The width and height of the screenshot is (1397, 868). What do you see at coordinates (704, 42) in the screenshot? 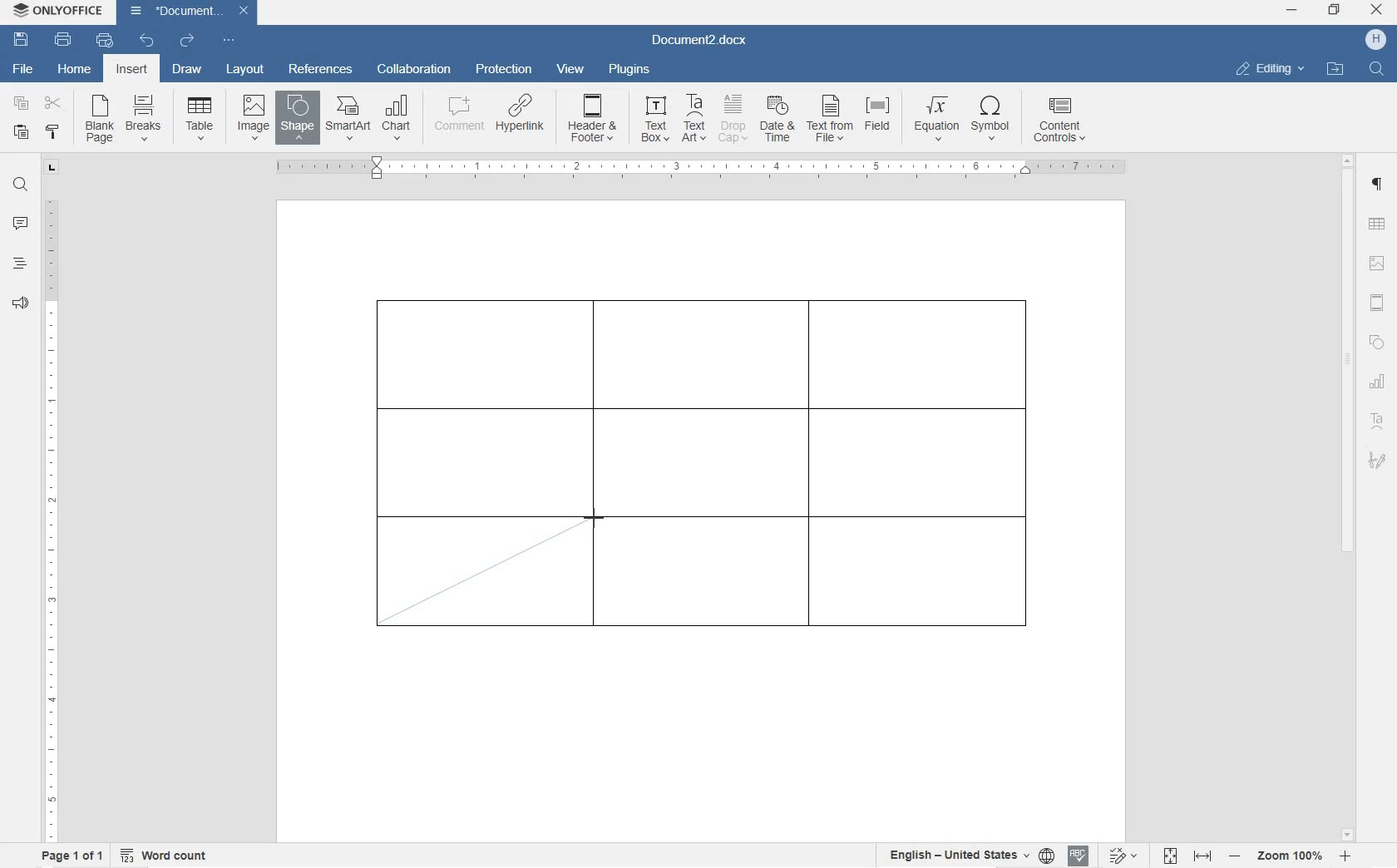
I see `Document3.docx` at bounding box center [704, 42].